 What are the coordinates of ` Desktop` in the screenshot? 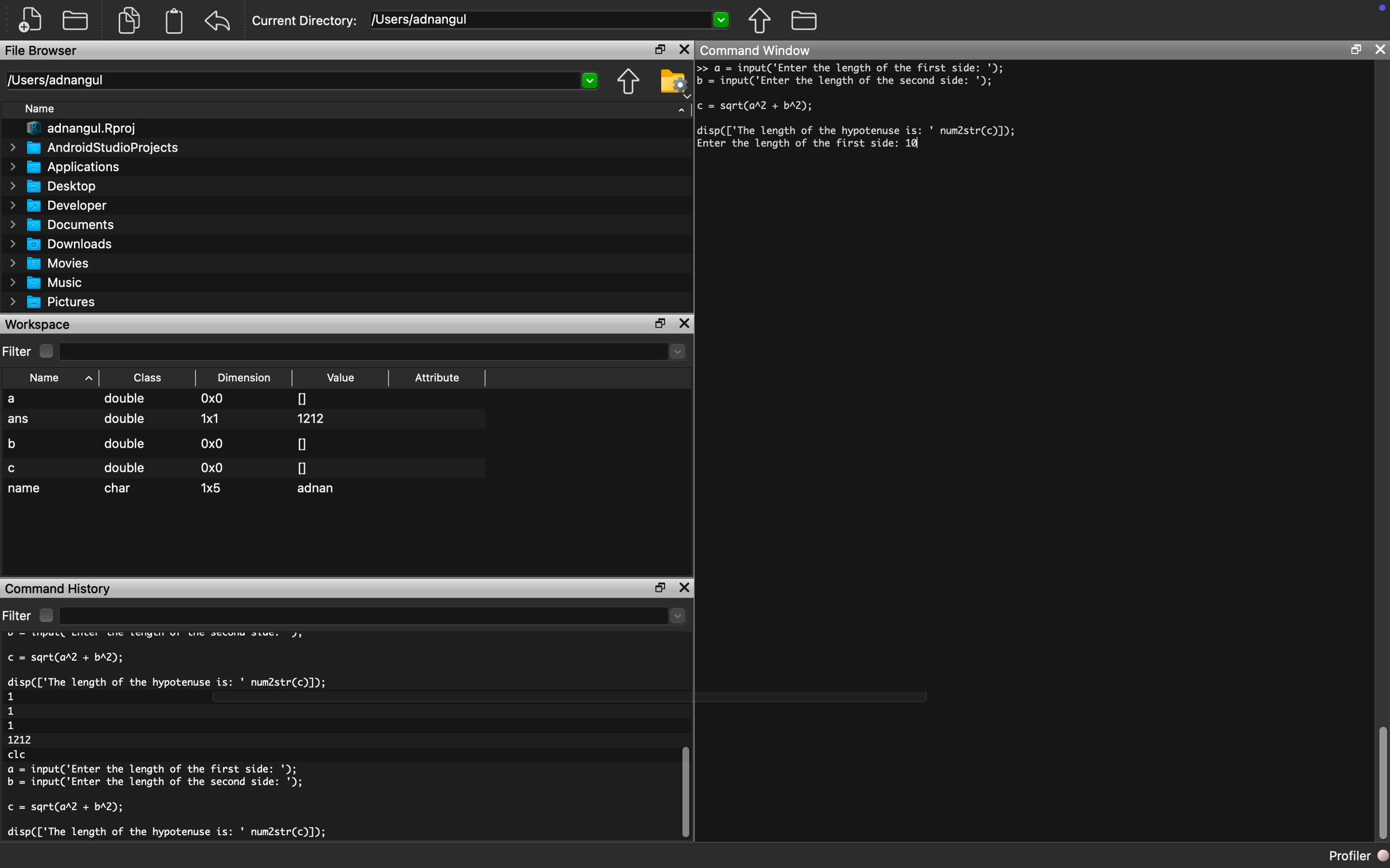 It's located at (60, 185).